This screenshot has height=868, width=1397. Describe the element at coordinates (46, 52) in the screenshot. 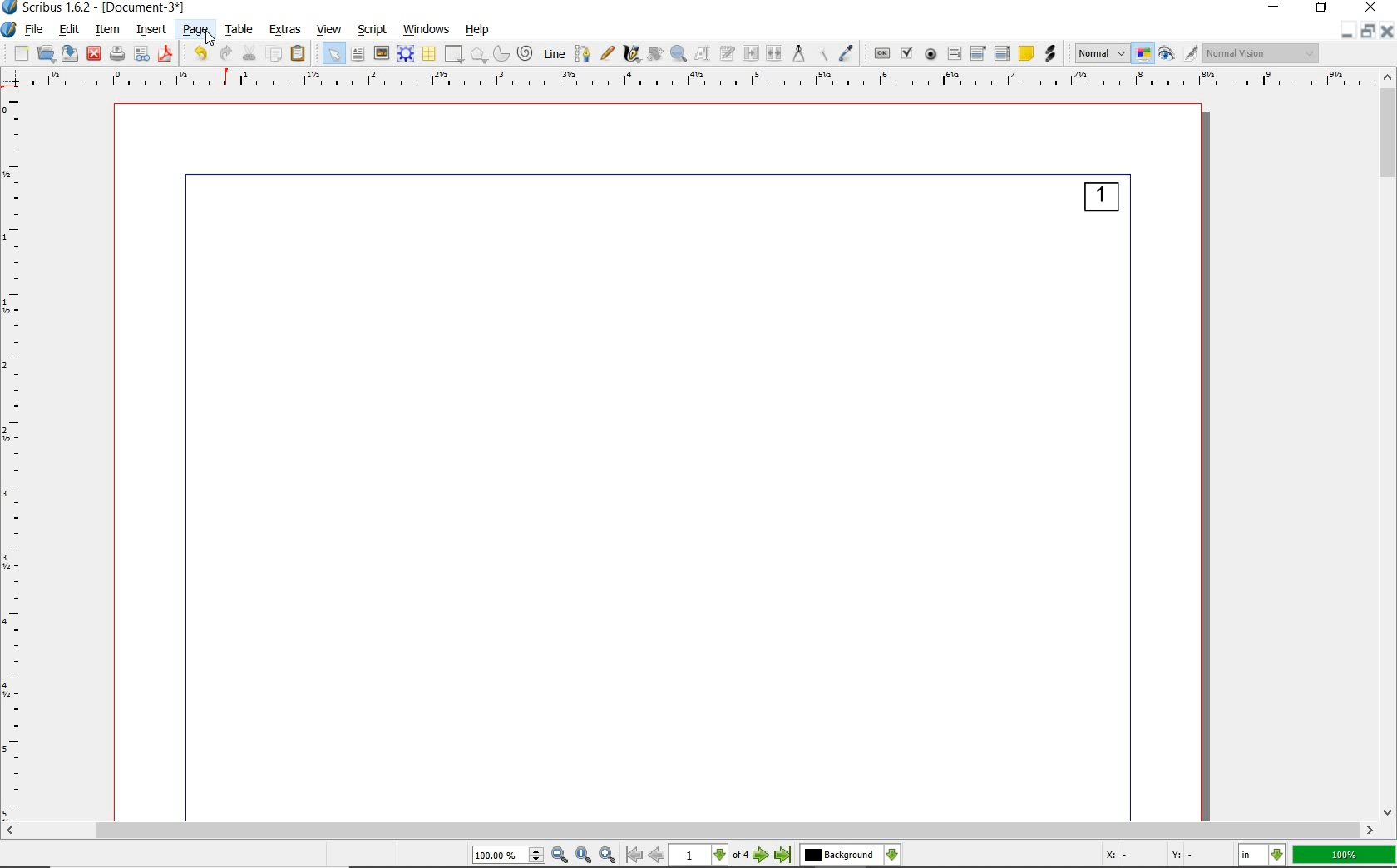

I see `open` at that location.